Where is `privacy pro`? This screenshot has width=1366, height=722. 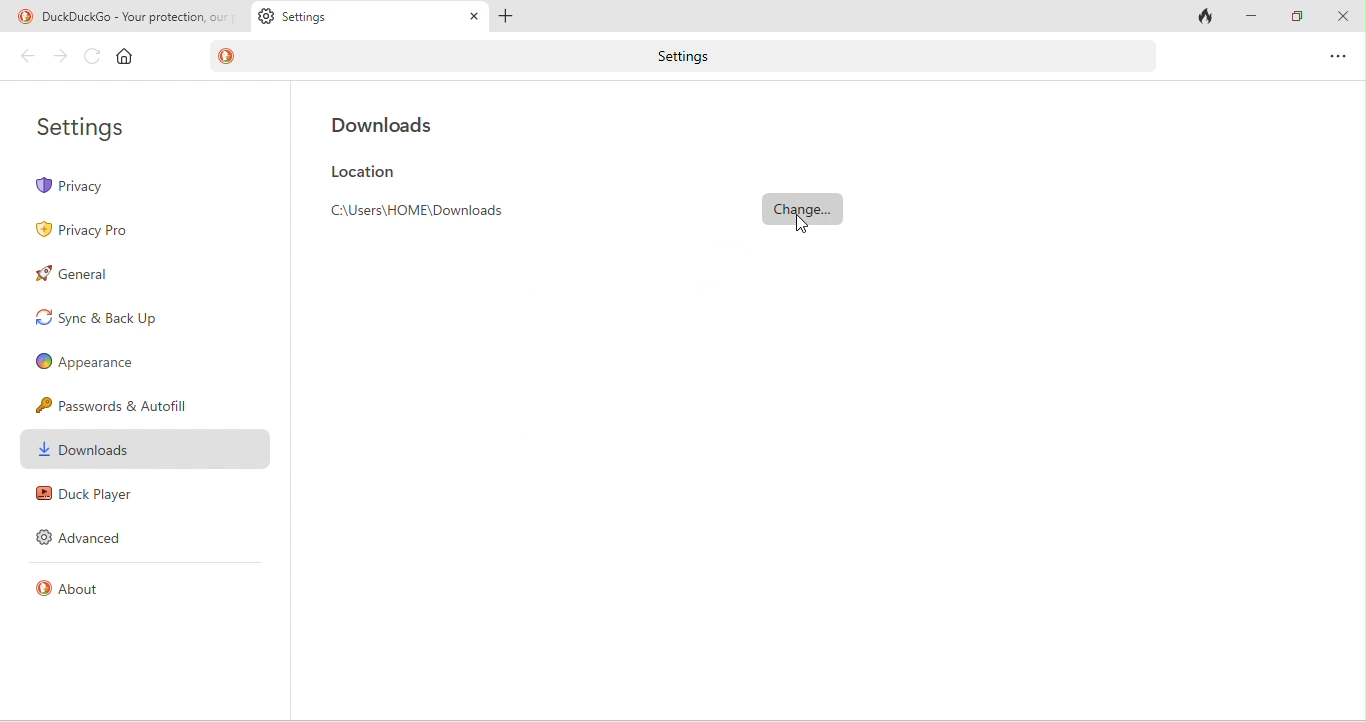
privacy pro is located at coordinates (94, 230).